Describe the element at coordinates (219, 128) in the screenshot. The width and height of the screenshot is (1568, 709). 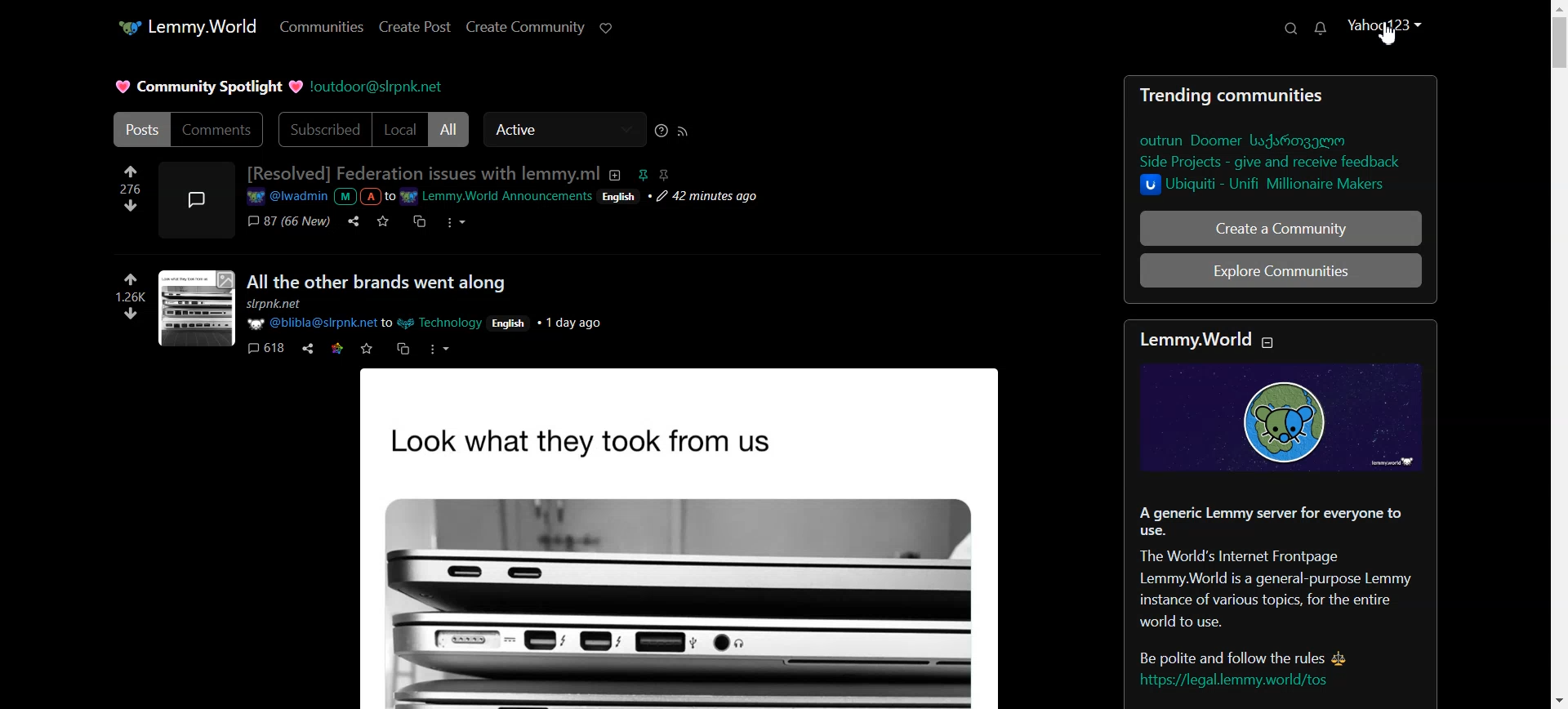
I see `Comments` at that location.